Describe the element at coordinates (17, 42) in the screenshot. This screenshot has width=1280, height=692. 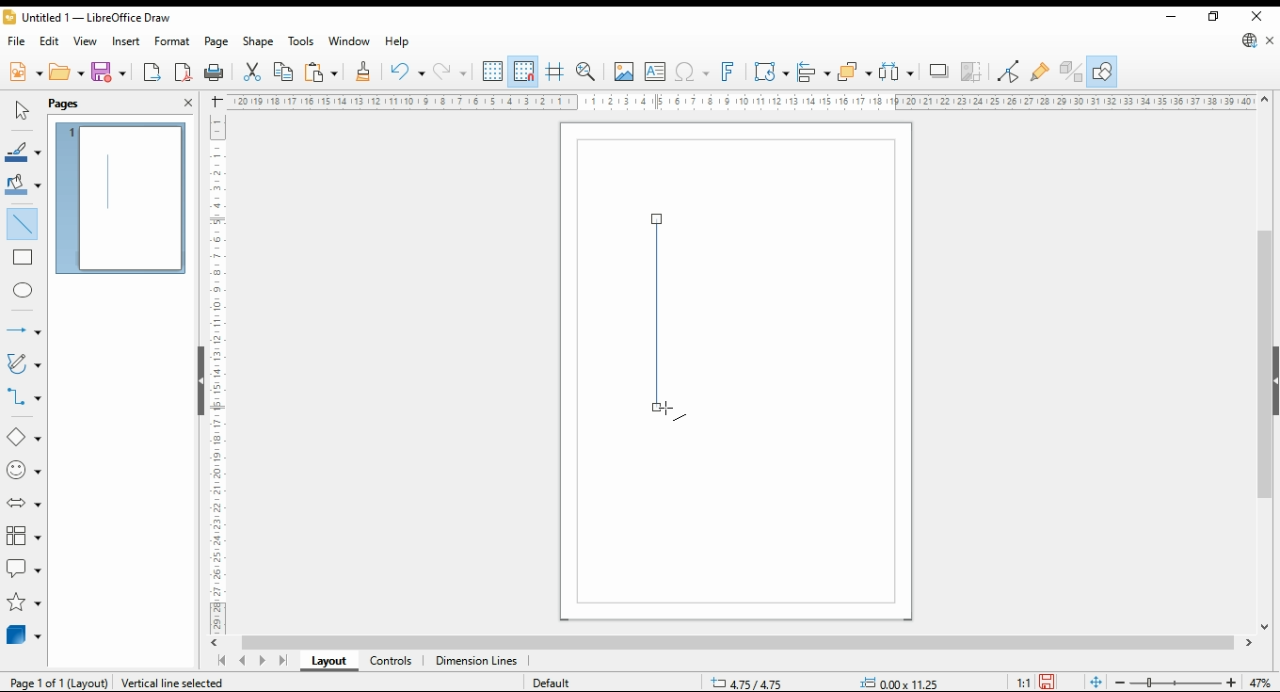
I see `file` at that location.